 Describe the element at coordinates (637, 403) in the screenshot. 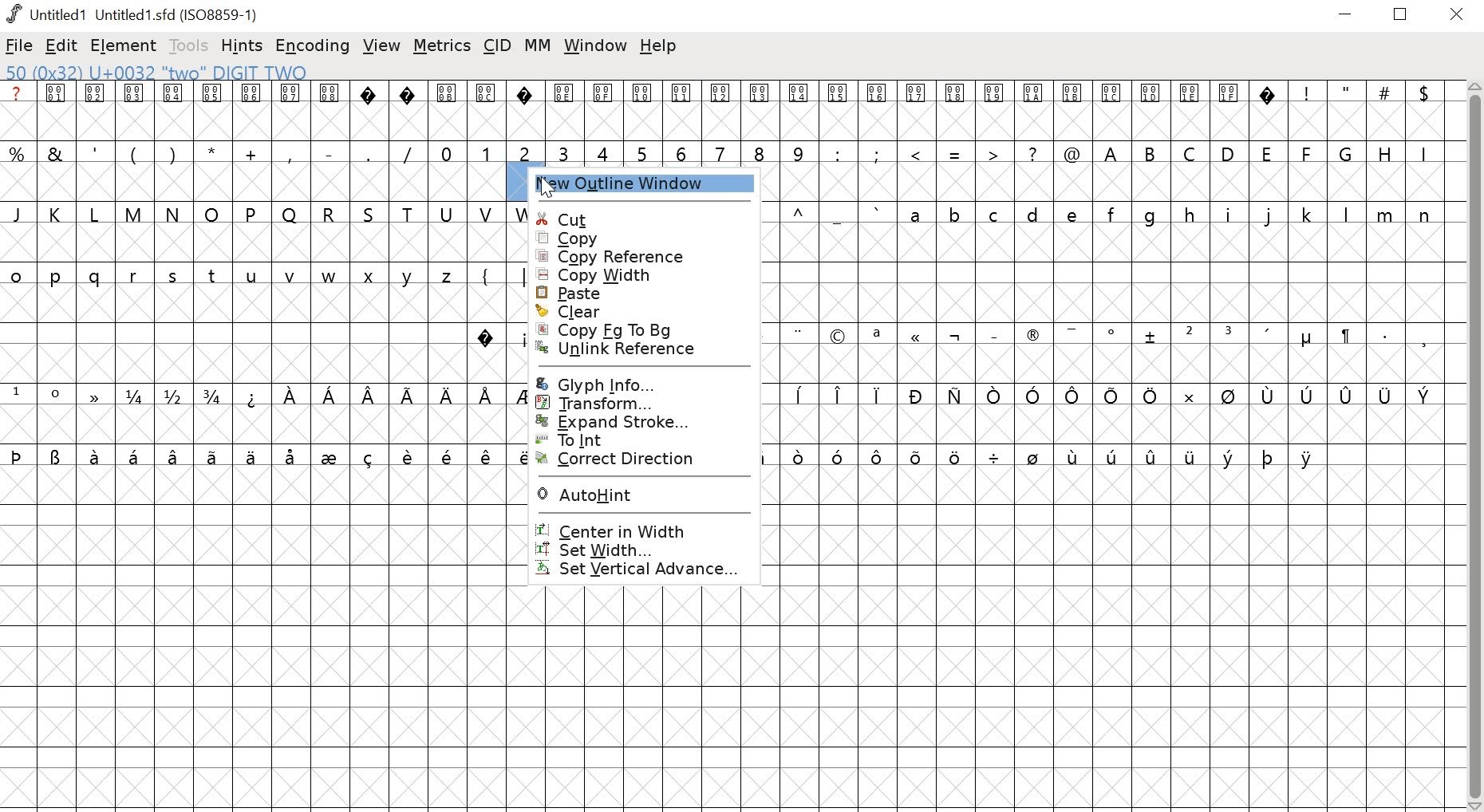

I see `transform` at that location.